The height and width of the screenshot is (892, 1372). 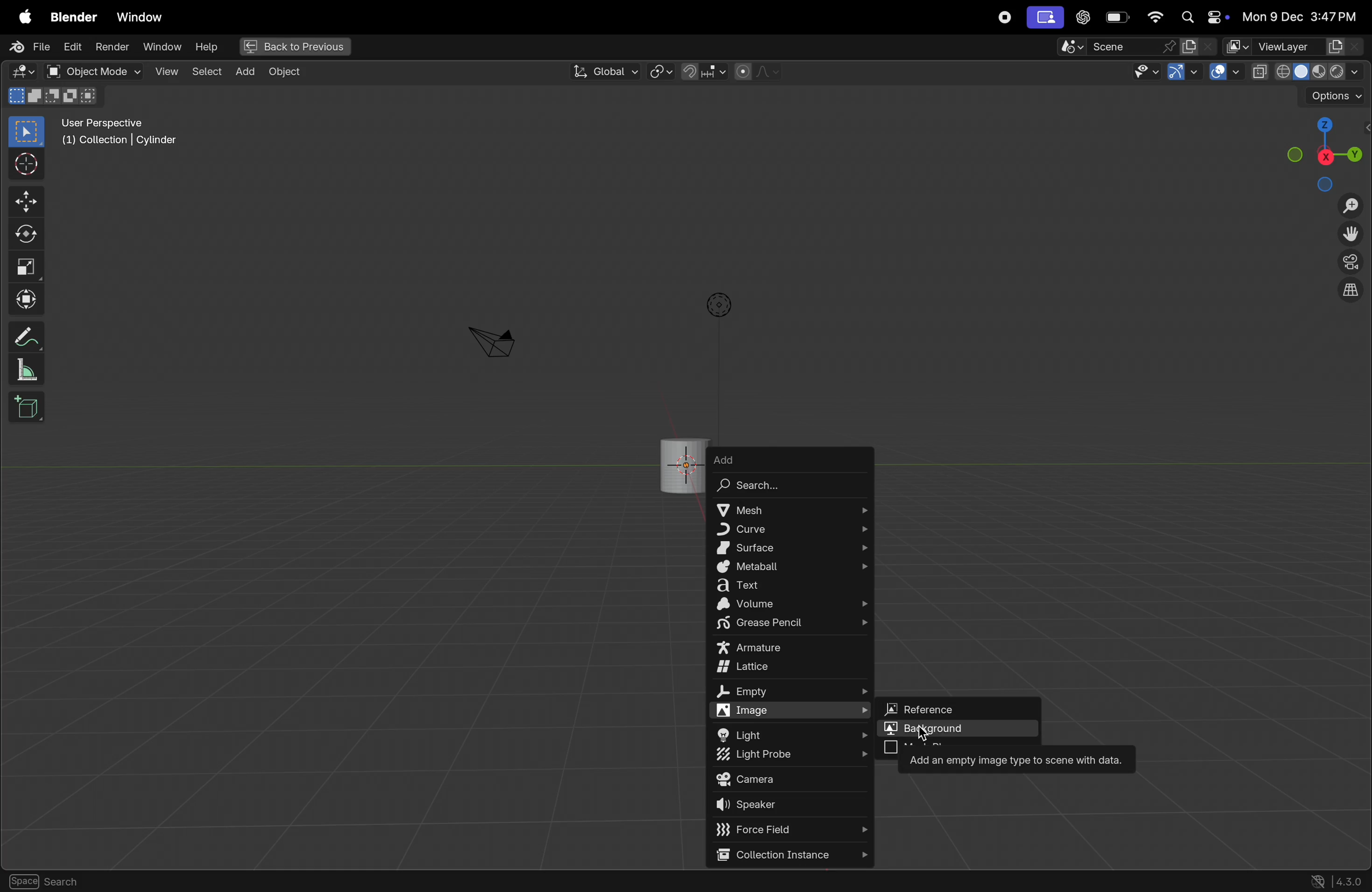 I want to click on zoom in, so click(x=1350, y=206).